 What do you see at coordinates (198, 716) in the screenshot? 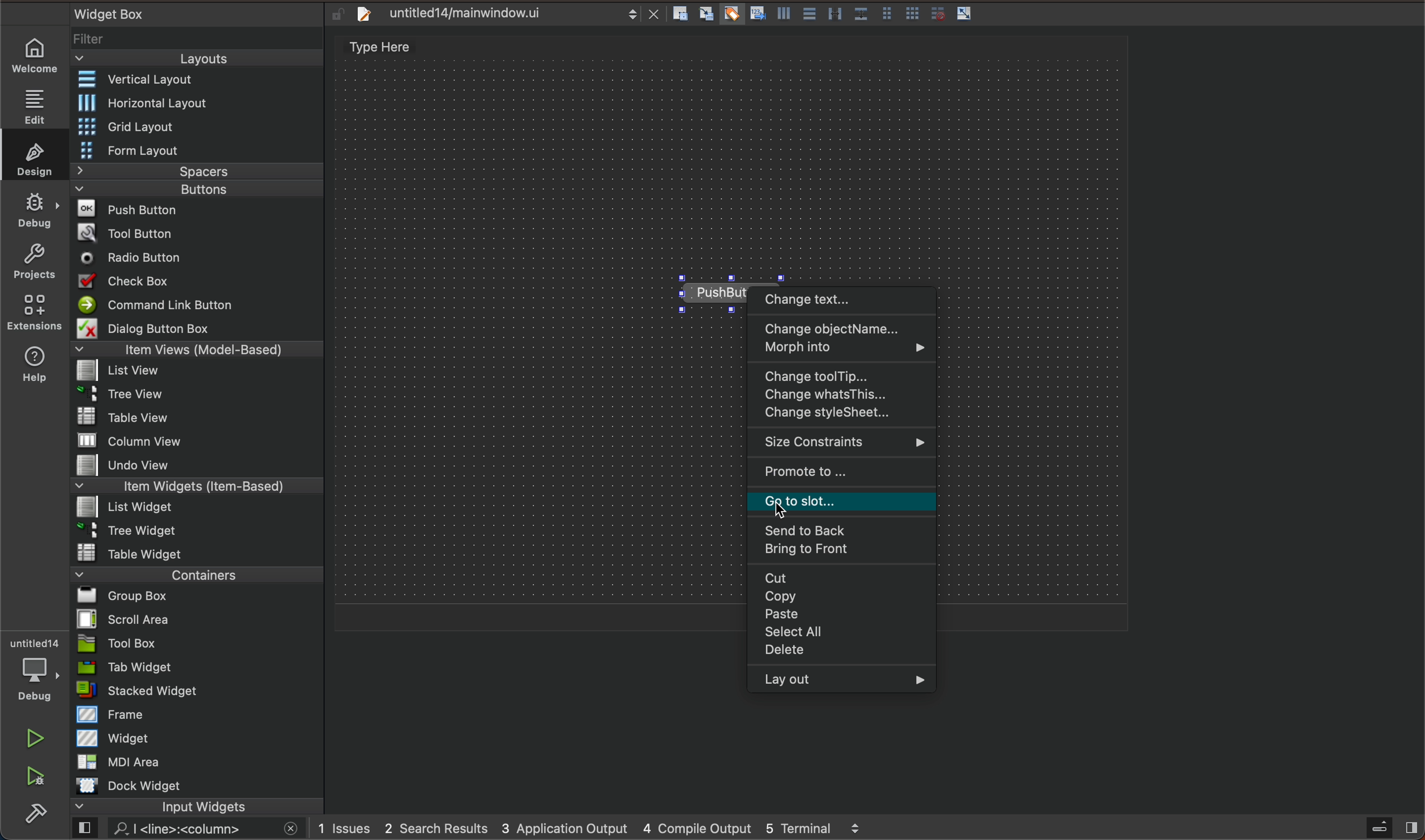
I see `frame` at bounding box center [198, 716].